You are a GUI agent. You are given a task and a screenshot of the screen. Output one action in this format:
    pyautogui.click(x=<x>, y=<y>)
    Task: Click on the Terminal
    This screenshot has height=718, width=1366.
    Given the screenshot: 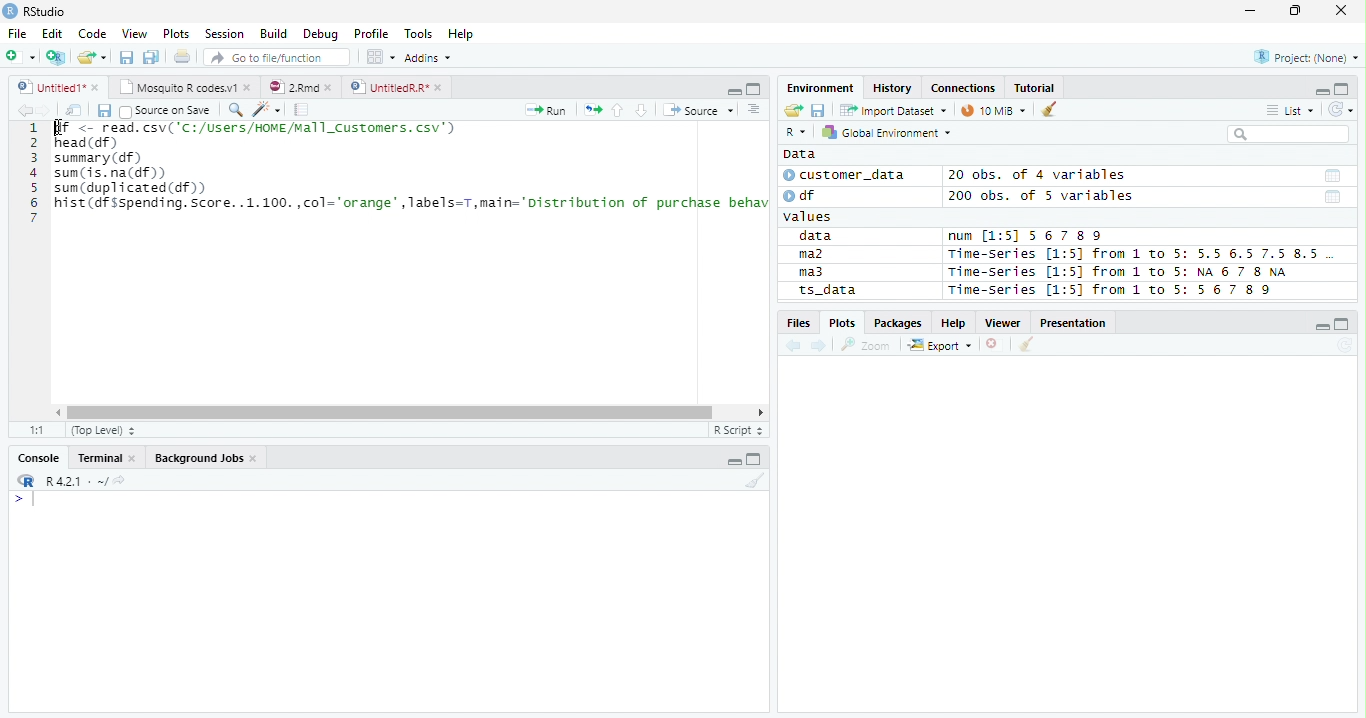 What is the action you would take?
    pyautogui.click(x=106, y=460)
    